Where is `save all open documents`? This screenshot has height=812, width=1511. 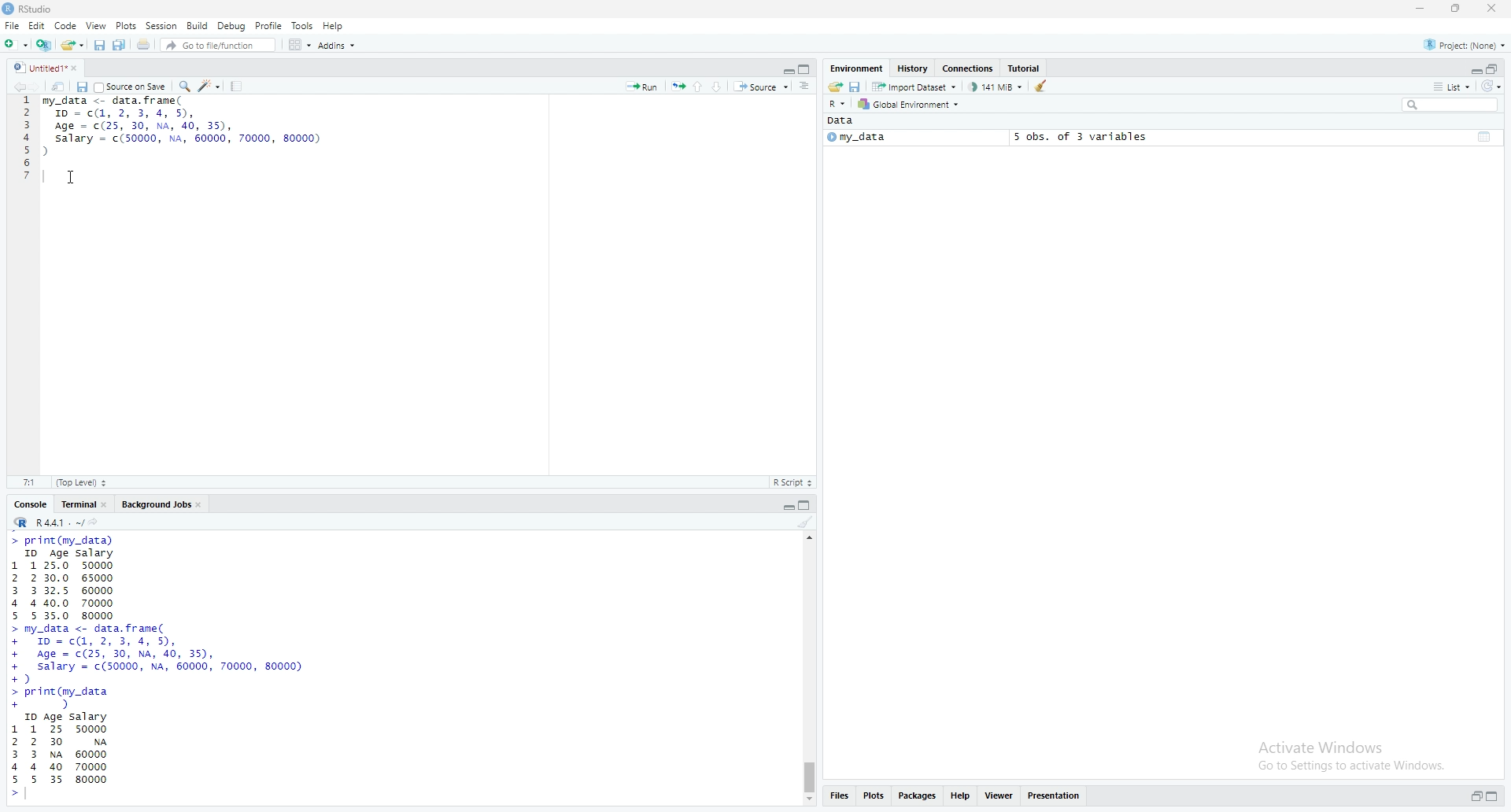 save all open documents is located at coordinates (120, 45).